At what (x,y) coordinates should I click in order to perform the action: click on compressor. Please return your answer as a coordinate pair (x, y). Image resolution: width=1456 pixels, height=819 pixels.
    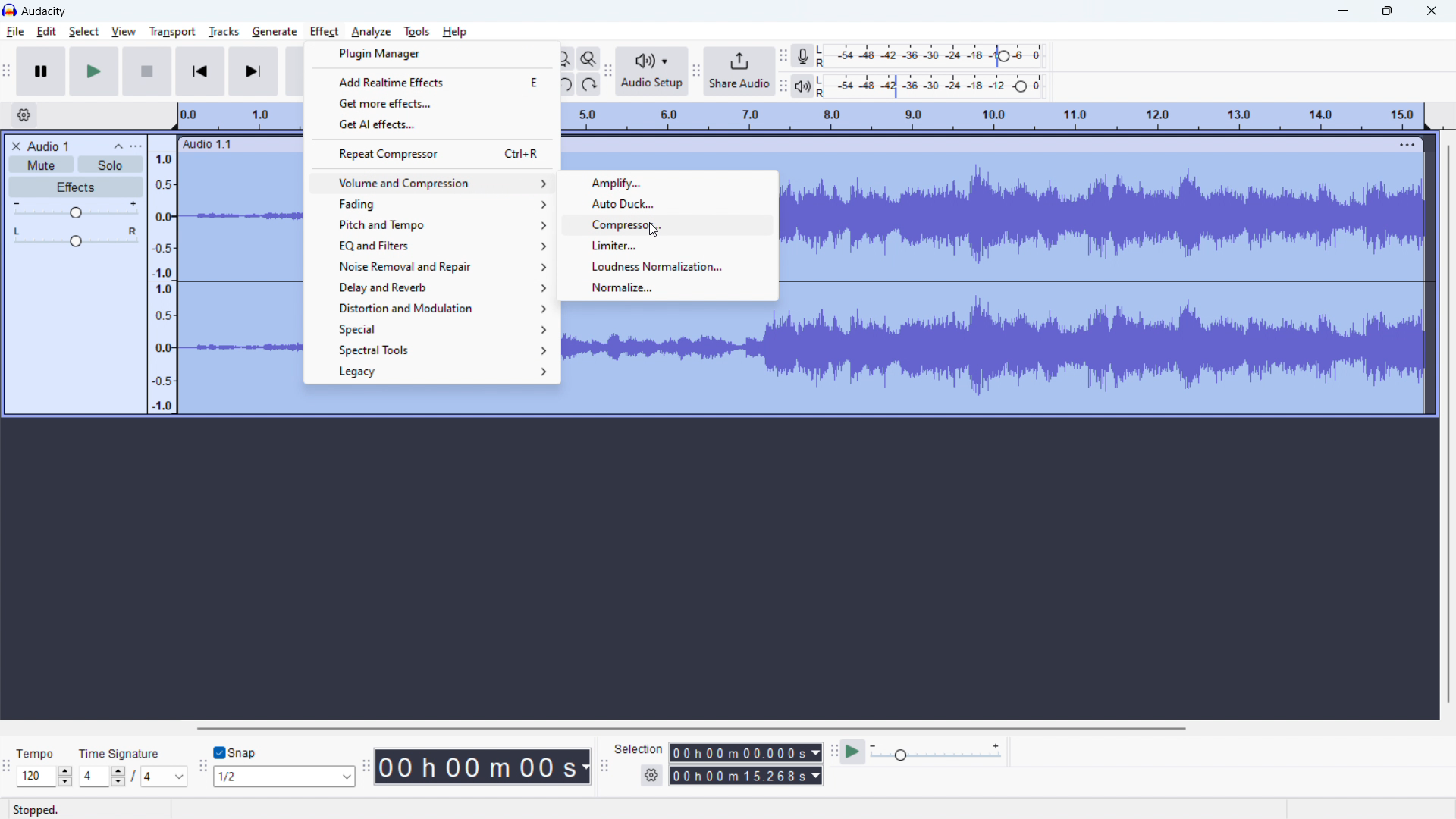
    Looking at the image, I should click on (668, 224).